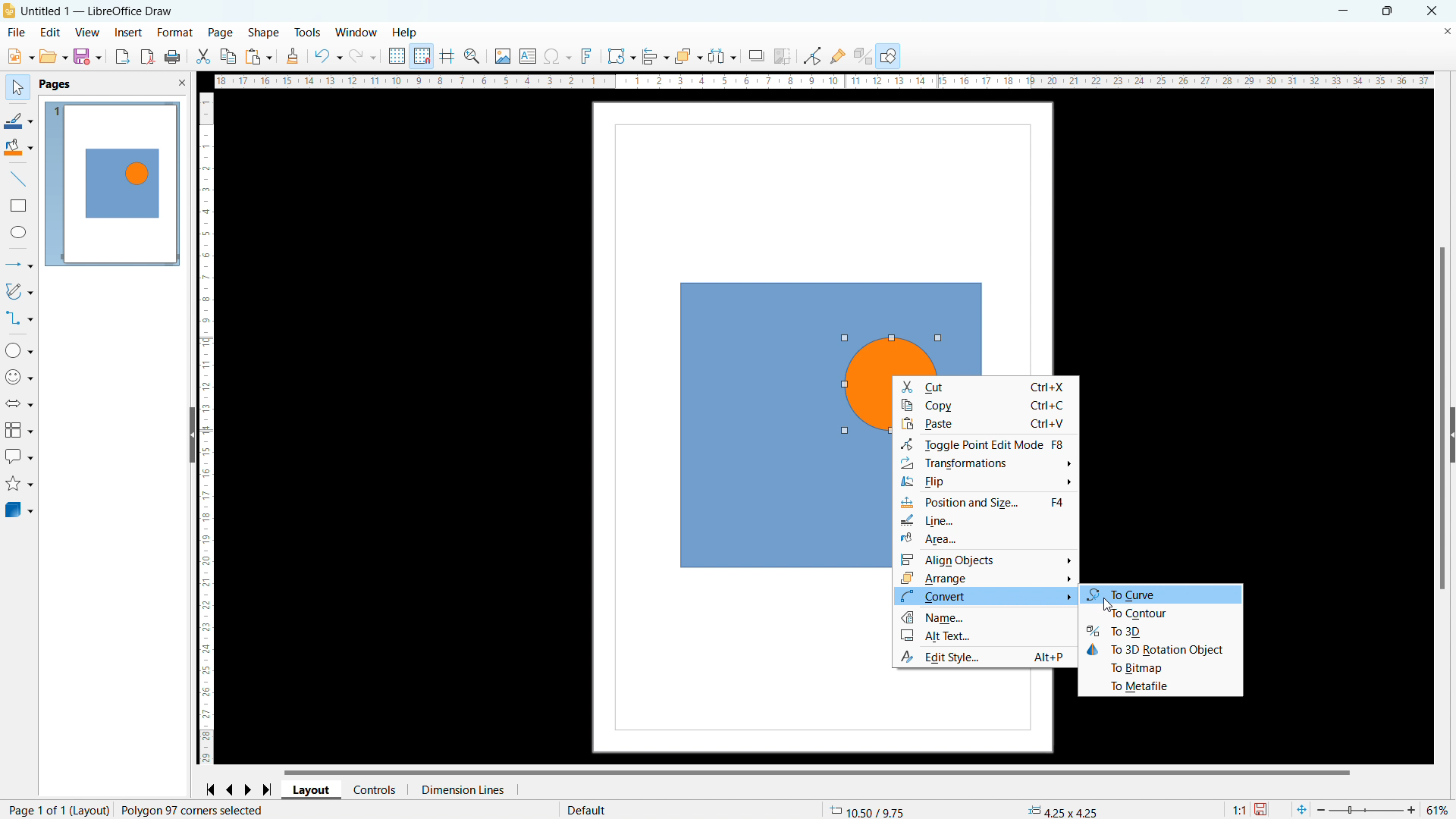 This screenshot has width=1456, height=819. I want to click on zoom out, so click(1322, 809).